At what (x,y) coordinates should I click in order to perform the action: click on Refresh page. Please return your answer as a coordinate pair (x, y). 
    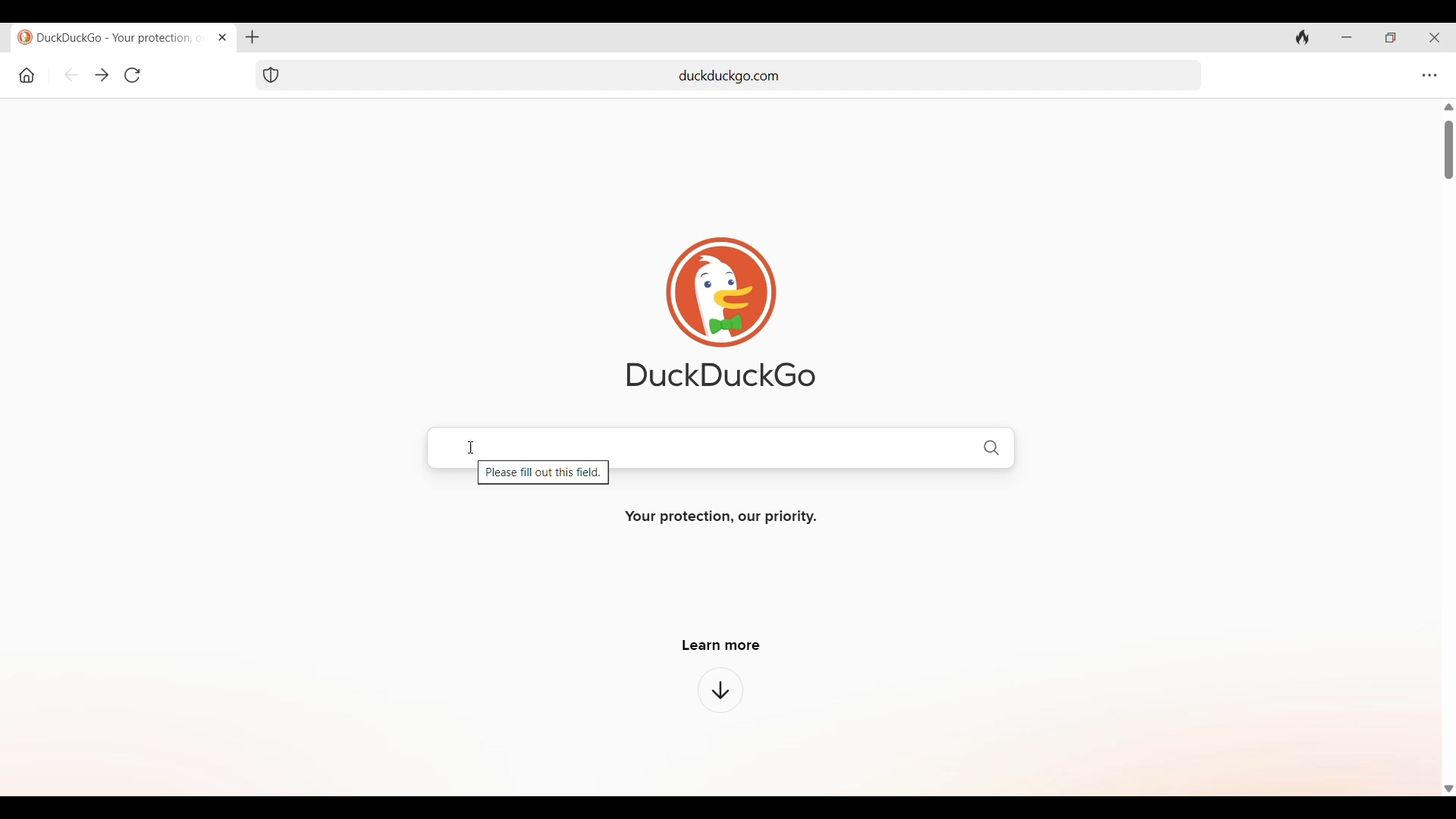
    Looking at the image, I should click on (132, 75).